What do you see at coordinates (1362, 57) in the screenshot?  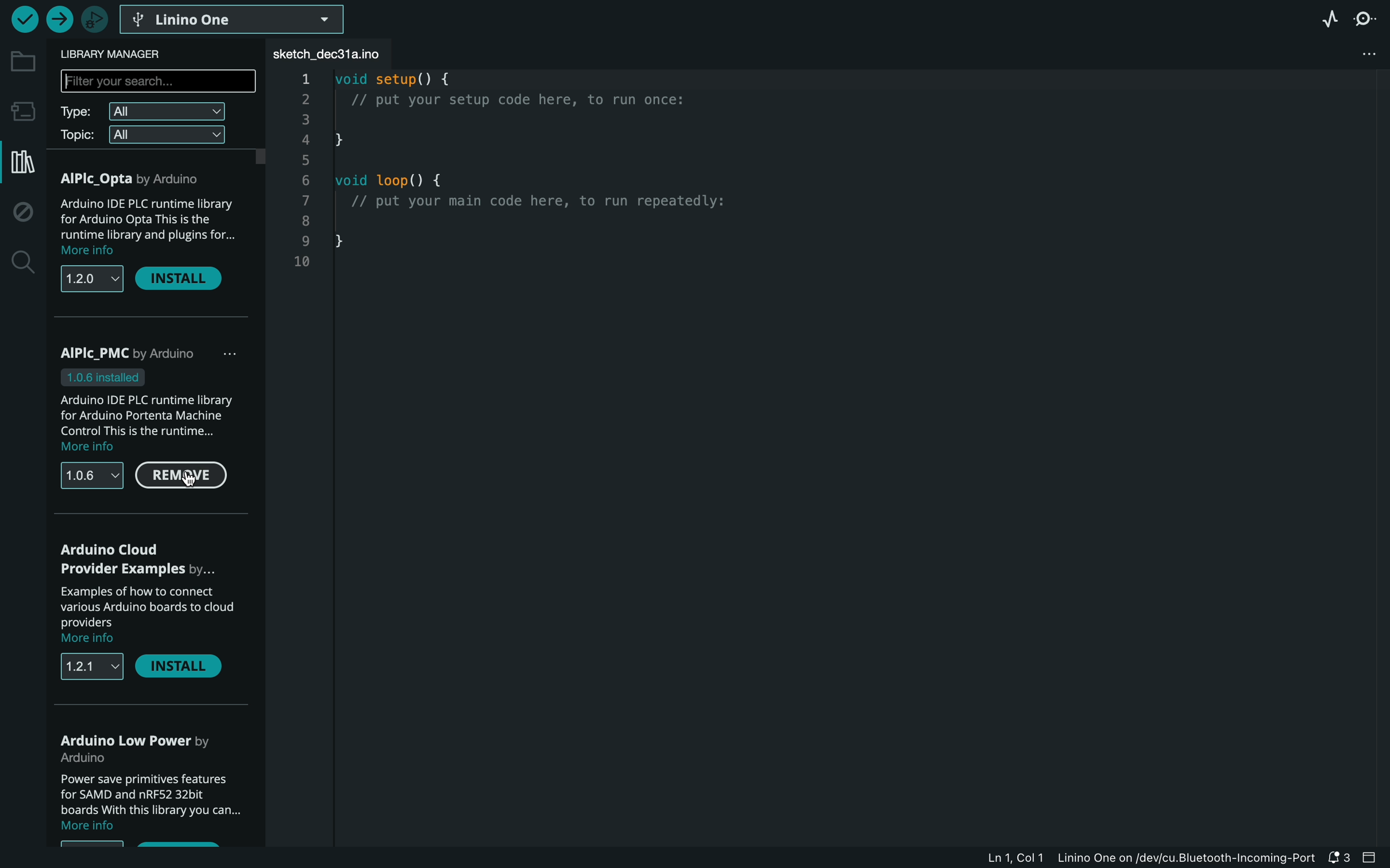 I see `file setting` at bounding box center [1362, 57].